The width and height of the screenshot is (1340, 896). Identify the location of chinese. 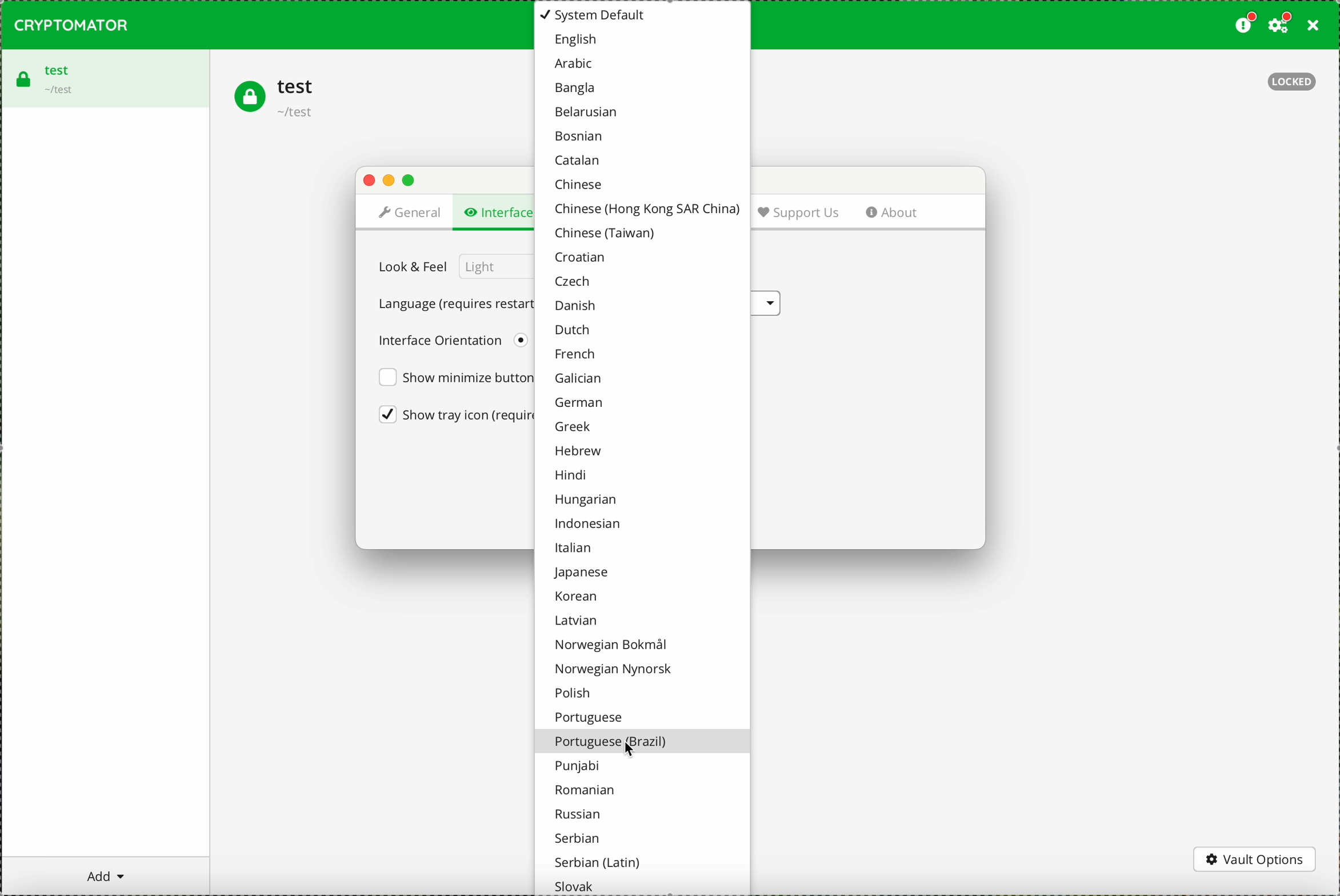
(578, 187).